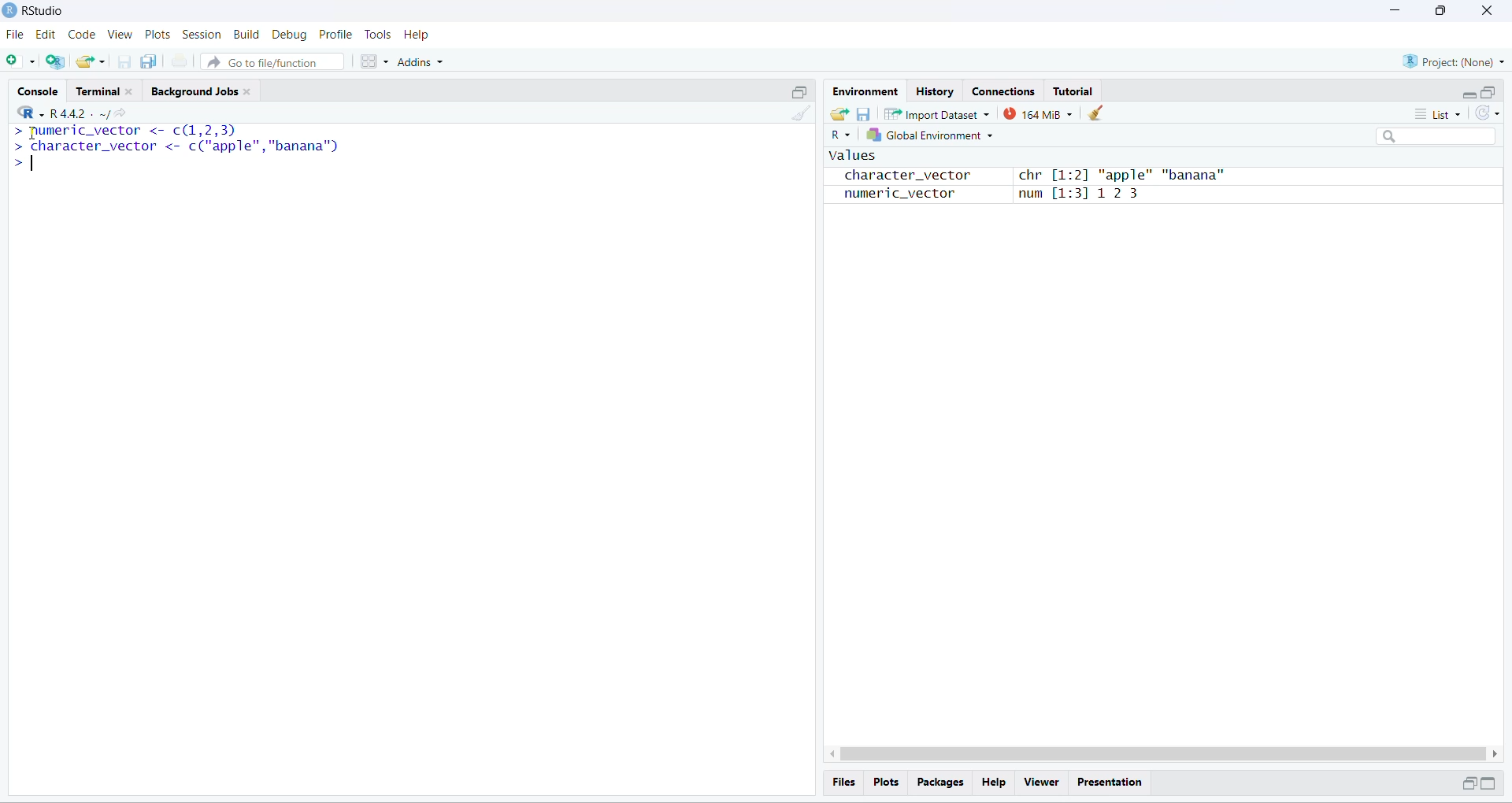  What do you see at coordinates (1002, 90) in the screenshot?
I see `Connections` at bounding box center [1002, 90].